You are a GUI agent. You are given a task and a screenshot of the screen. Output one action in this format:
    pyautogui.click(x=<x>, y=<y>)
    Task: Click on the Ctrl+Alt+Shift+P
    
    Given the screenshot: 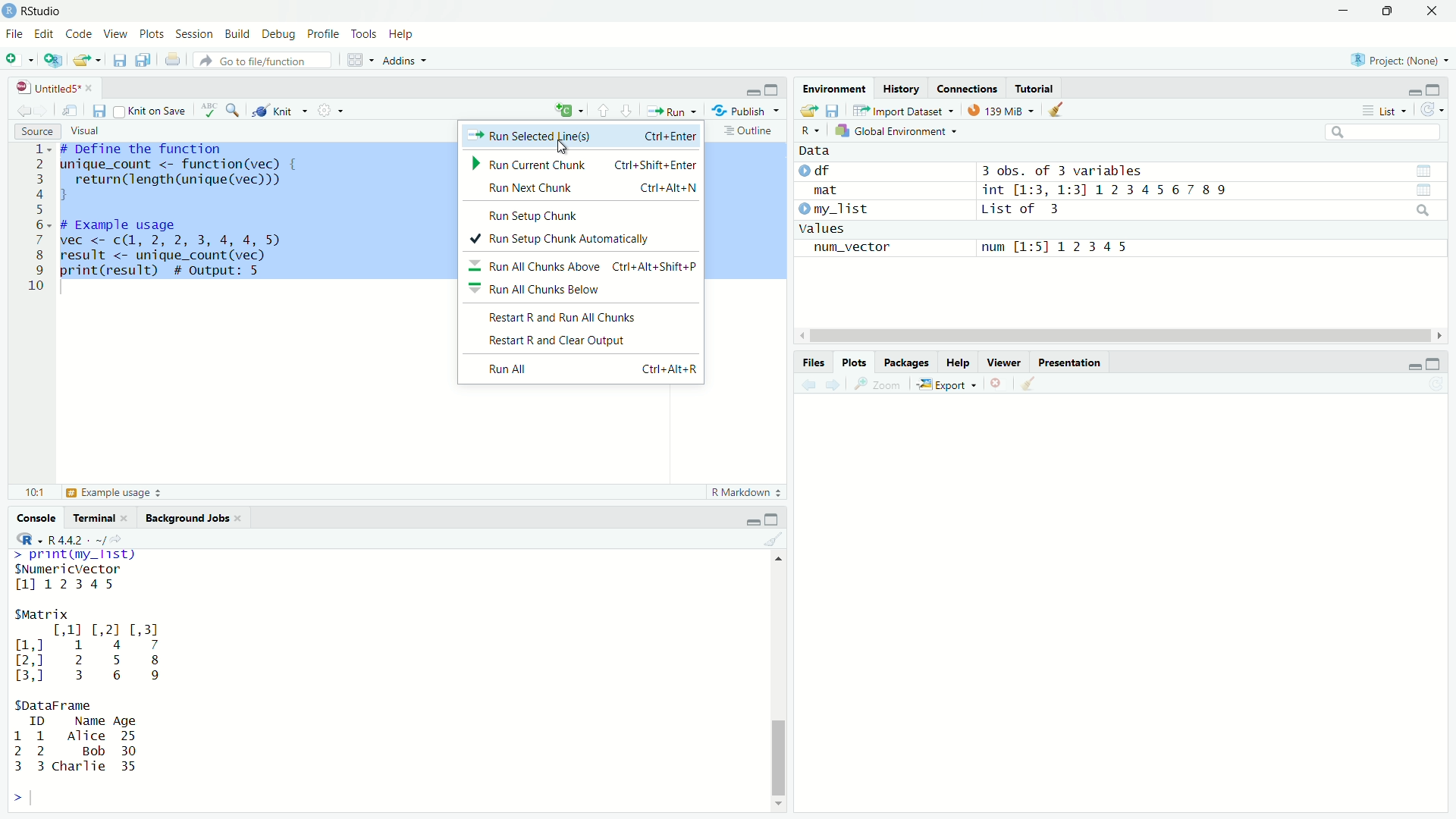 What is the action you would take?
    pyautogui.click(x=657, y=268)
    